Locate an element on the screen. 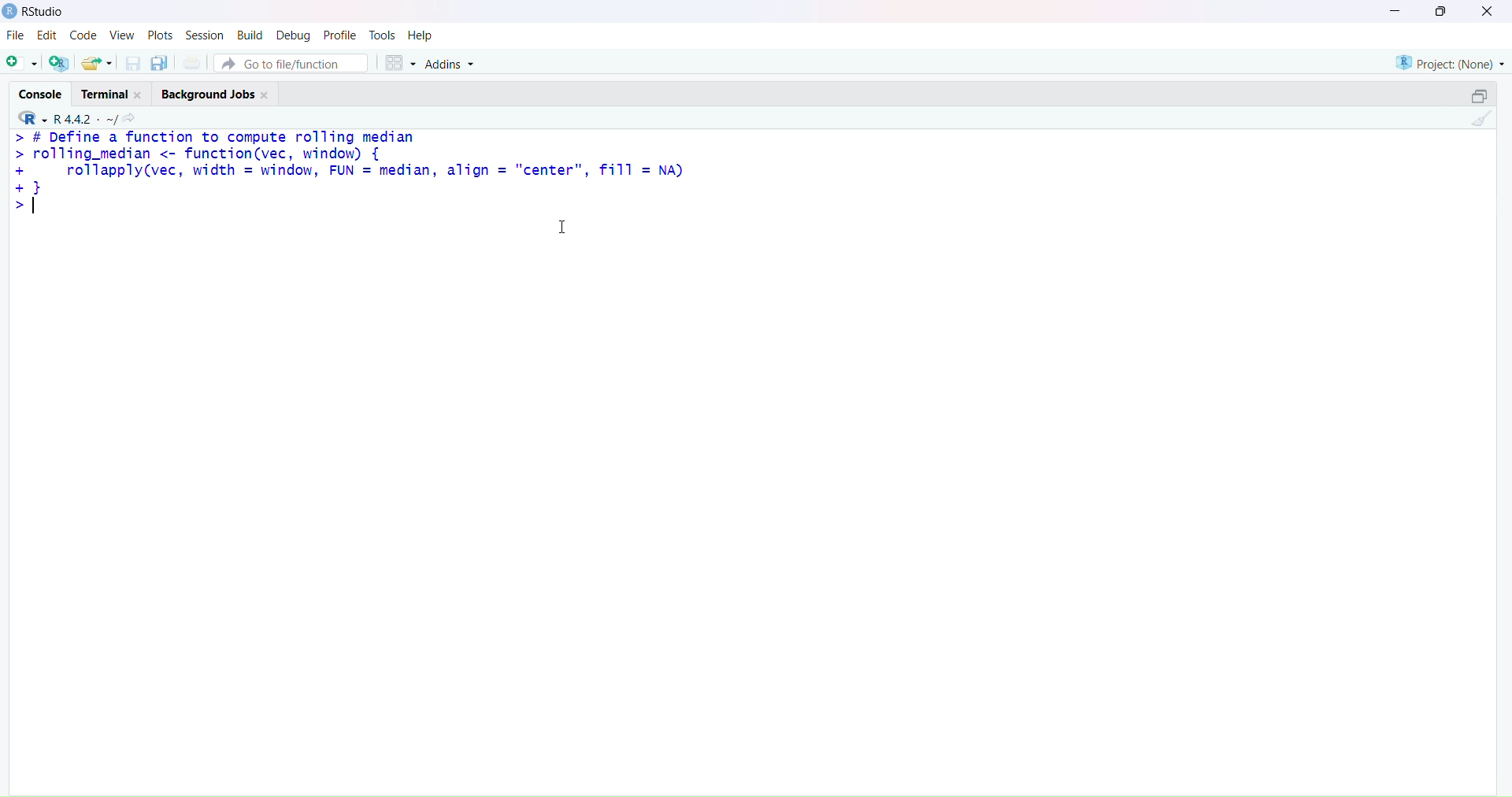 The width and height of the screenshot is (1512, 797). project (none) is located at coordinates (1450, 63).